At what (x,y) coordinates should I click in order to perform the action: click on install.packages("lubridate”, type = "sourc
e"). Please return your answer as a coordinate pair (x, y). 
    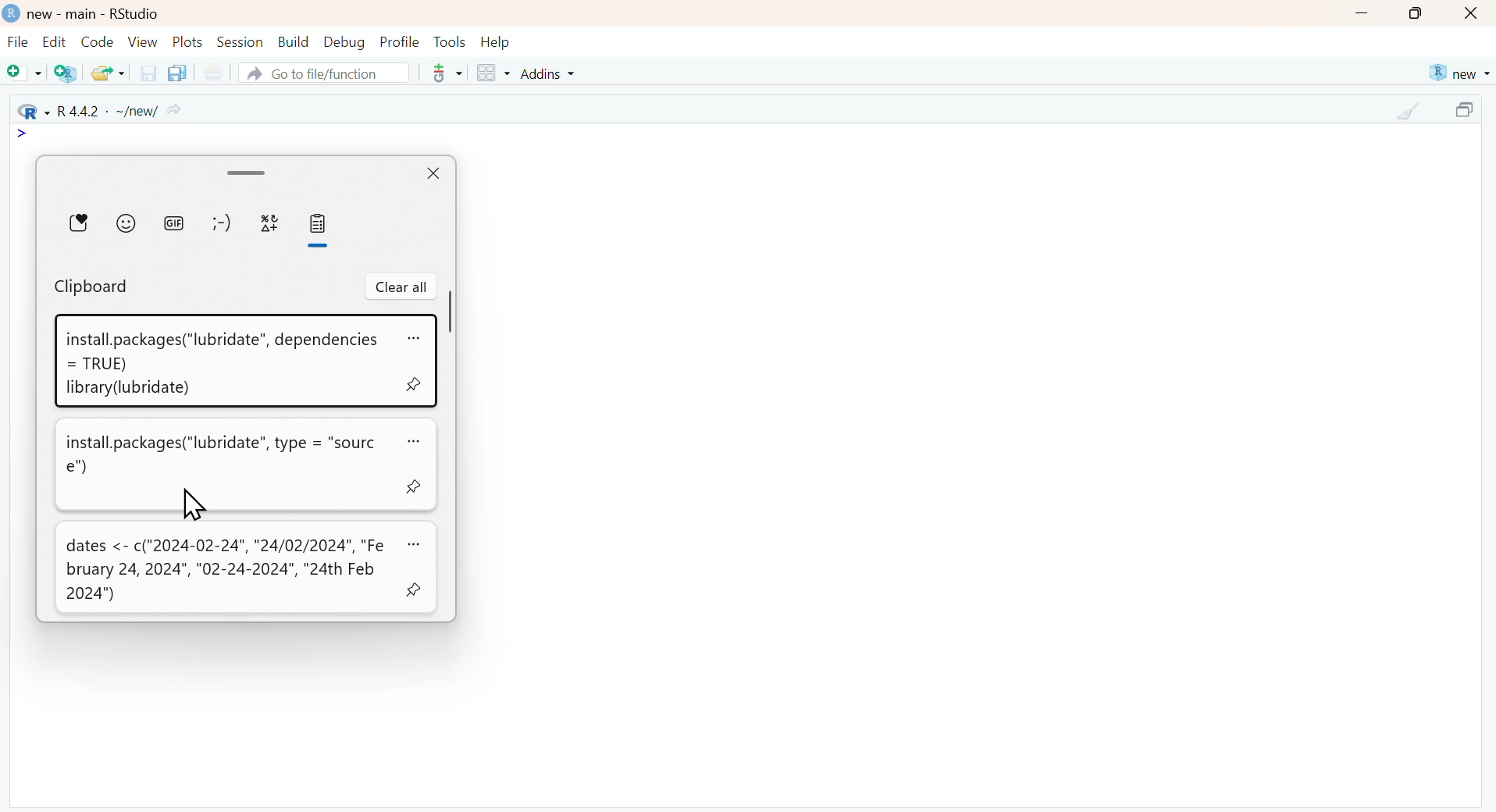
    Looking at the image, I should click on (221, 455).